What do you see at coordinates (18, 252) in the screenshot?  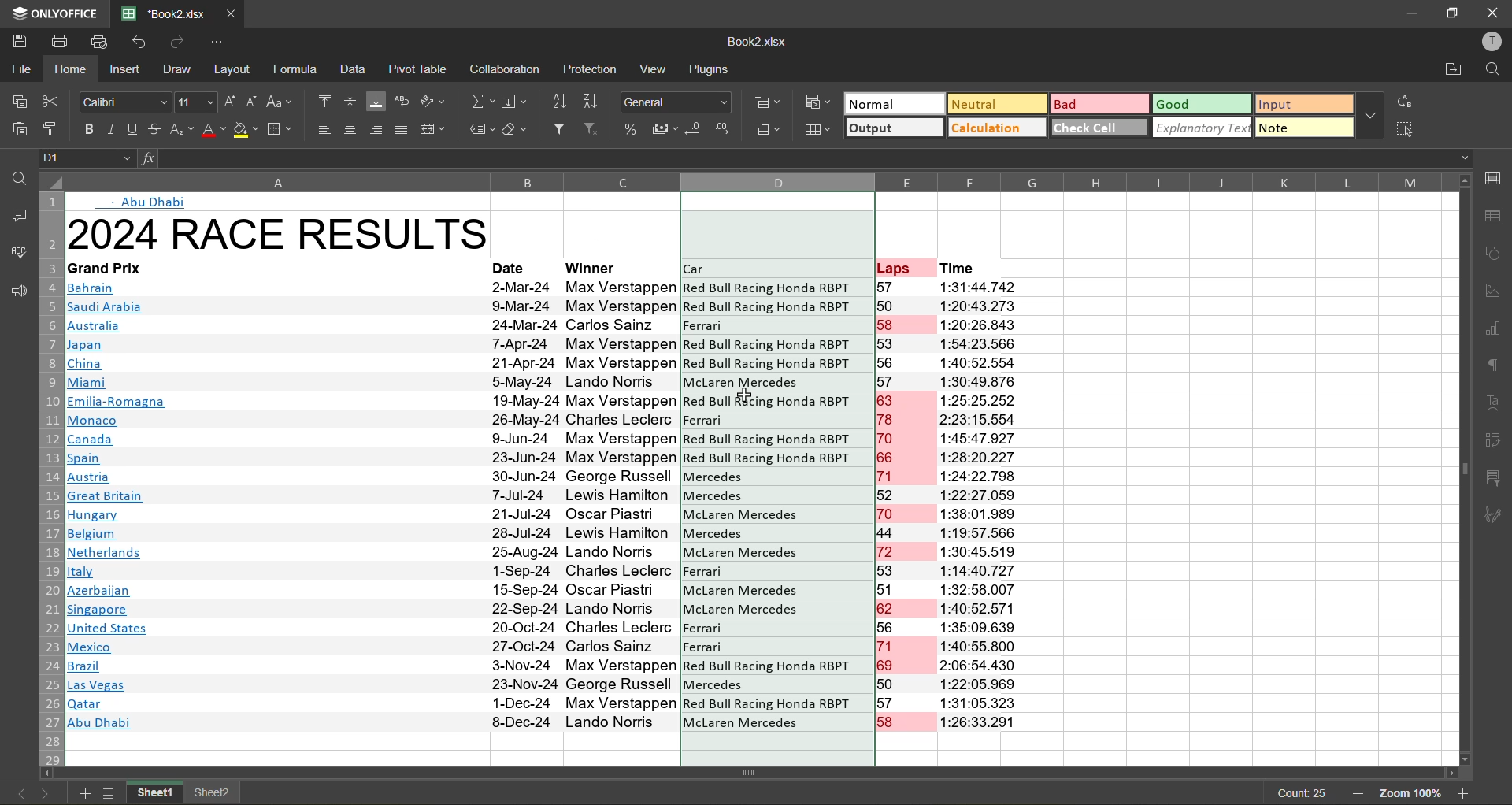 I see `spellcheck` at bounding box center [18, 252].